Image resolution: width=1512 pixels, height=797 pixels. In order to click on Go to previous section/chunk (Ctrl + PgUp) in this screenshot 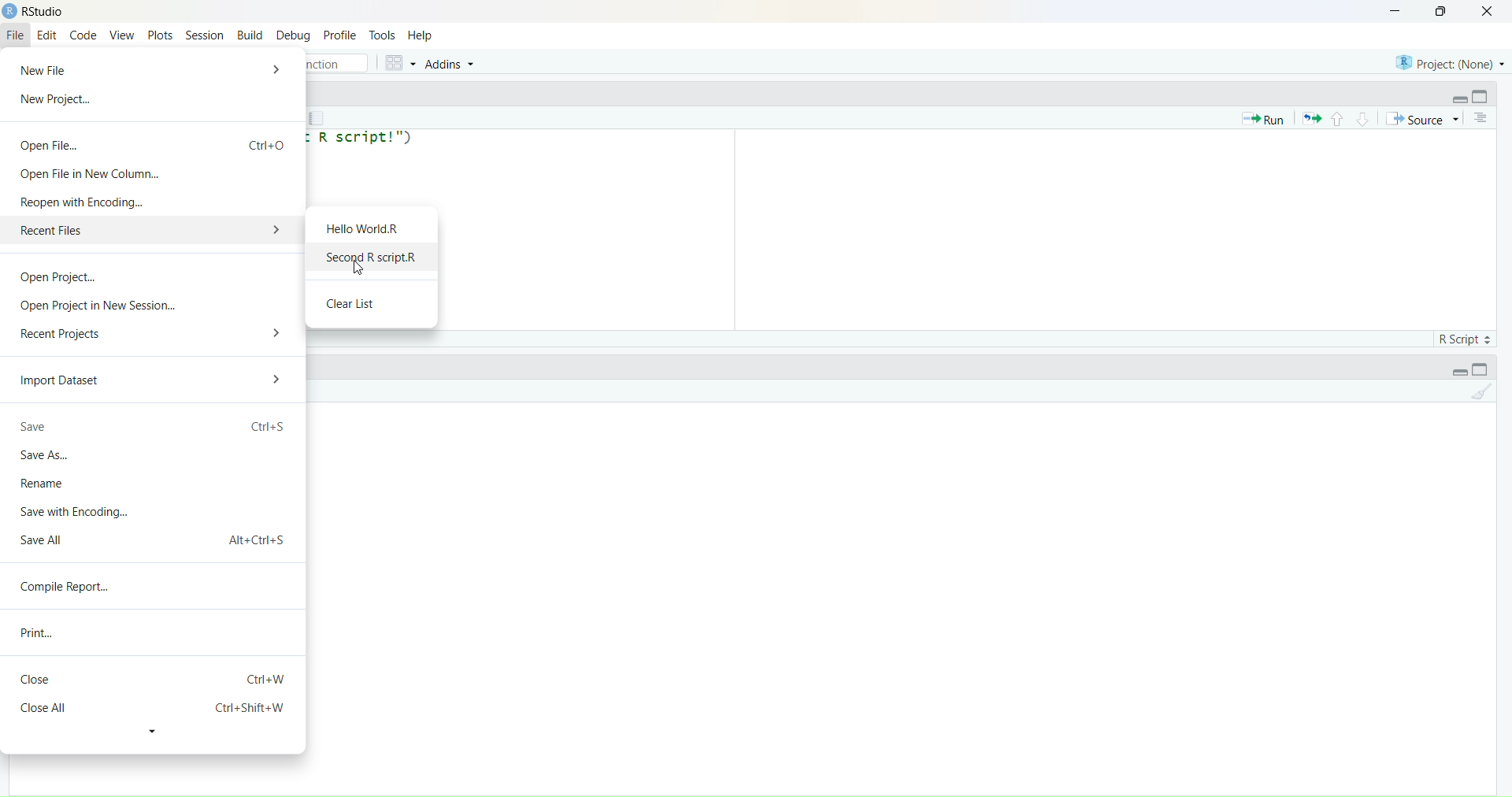, I will do `click(1336, 117)`.